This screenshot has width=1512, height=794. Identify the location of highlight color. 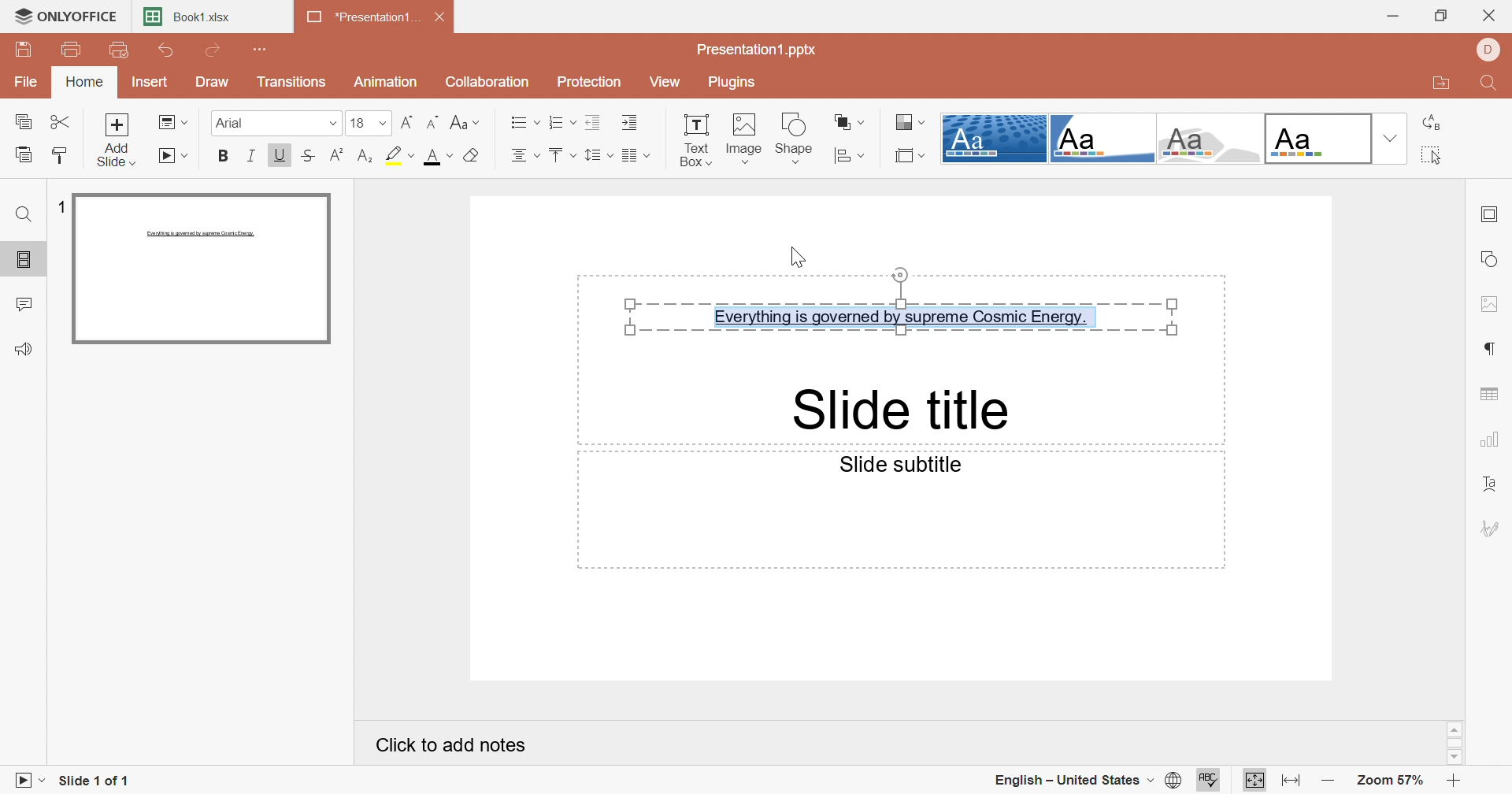
(402, 155).